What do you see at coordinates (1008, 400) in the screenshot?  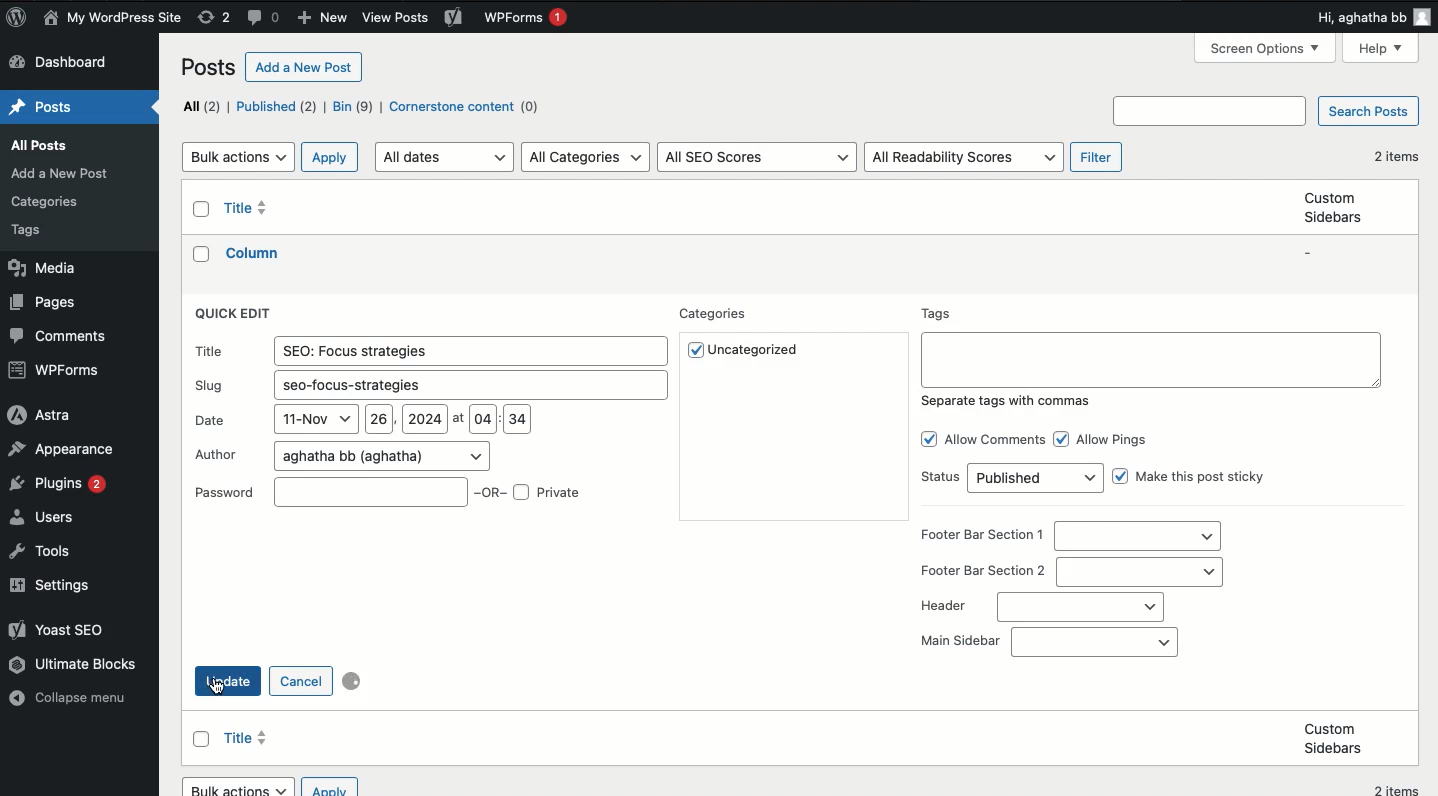 I see `Separate tags with commas` at bounding box center [1008, 400].